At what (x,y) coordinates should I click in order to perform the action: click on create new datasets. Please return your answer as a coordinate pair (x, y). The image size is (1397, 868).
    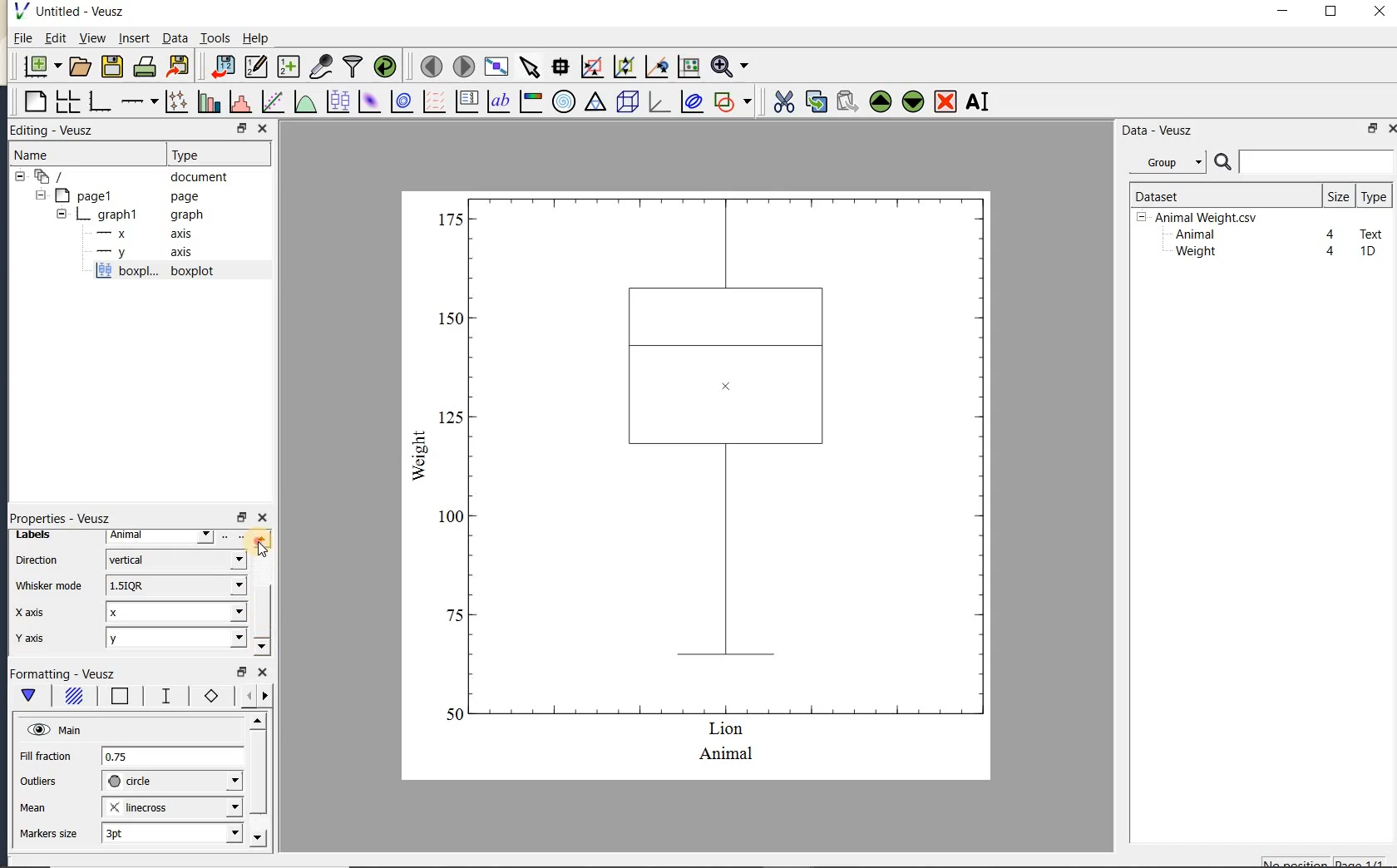
    Looking at the image, I should click on (289, 65).